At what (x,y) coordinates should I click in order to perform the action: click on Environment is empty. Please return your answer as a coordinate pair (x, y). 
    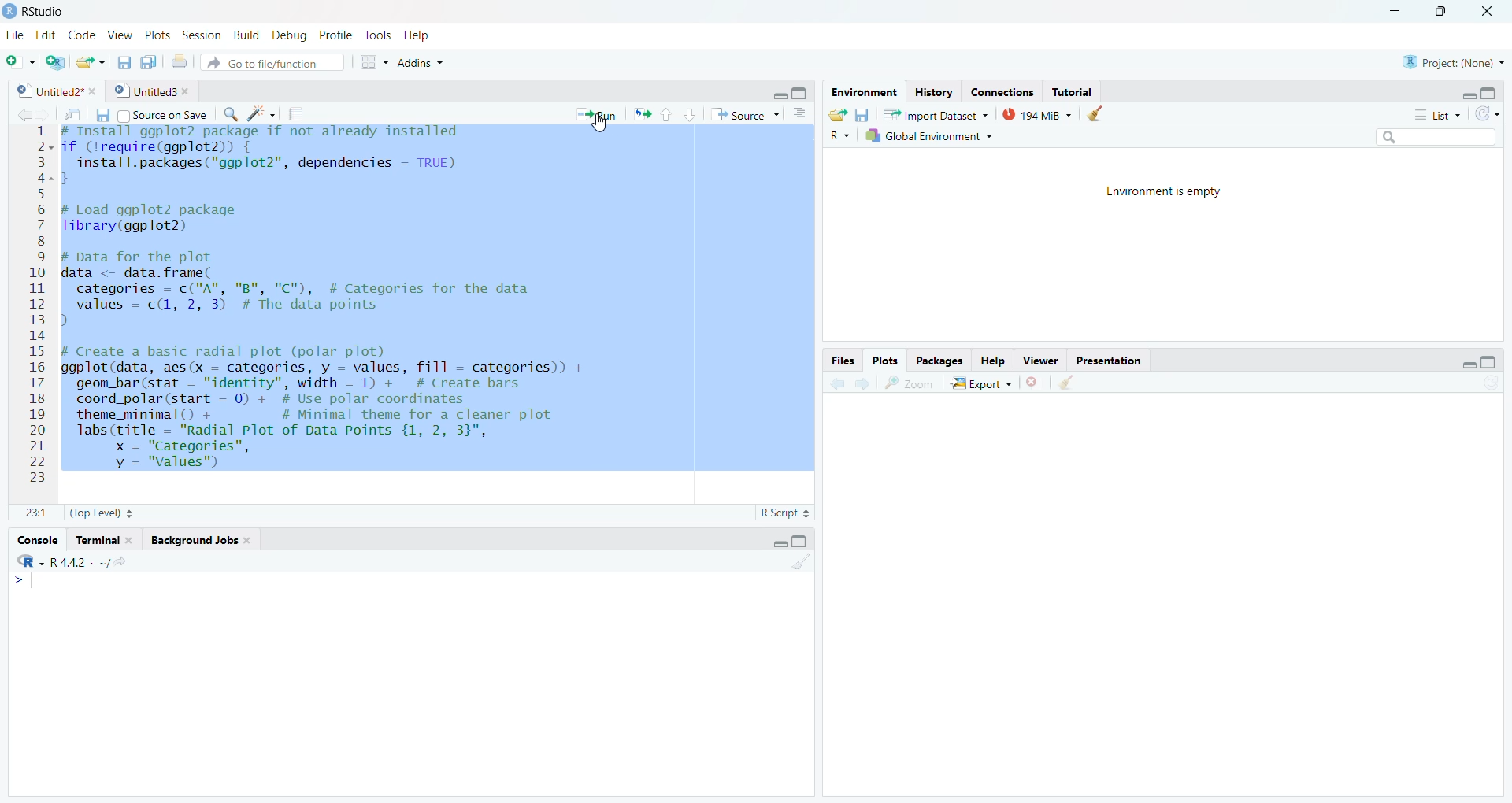
    Looking at the image, I should click on (1165, 191).